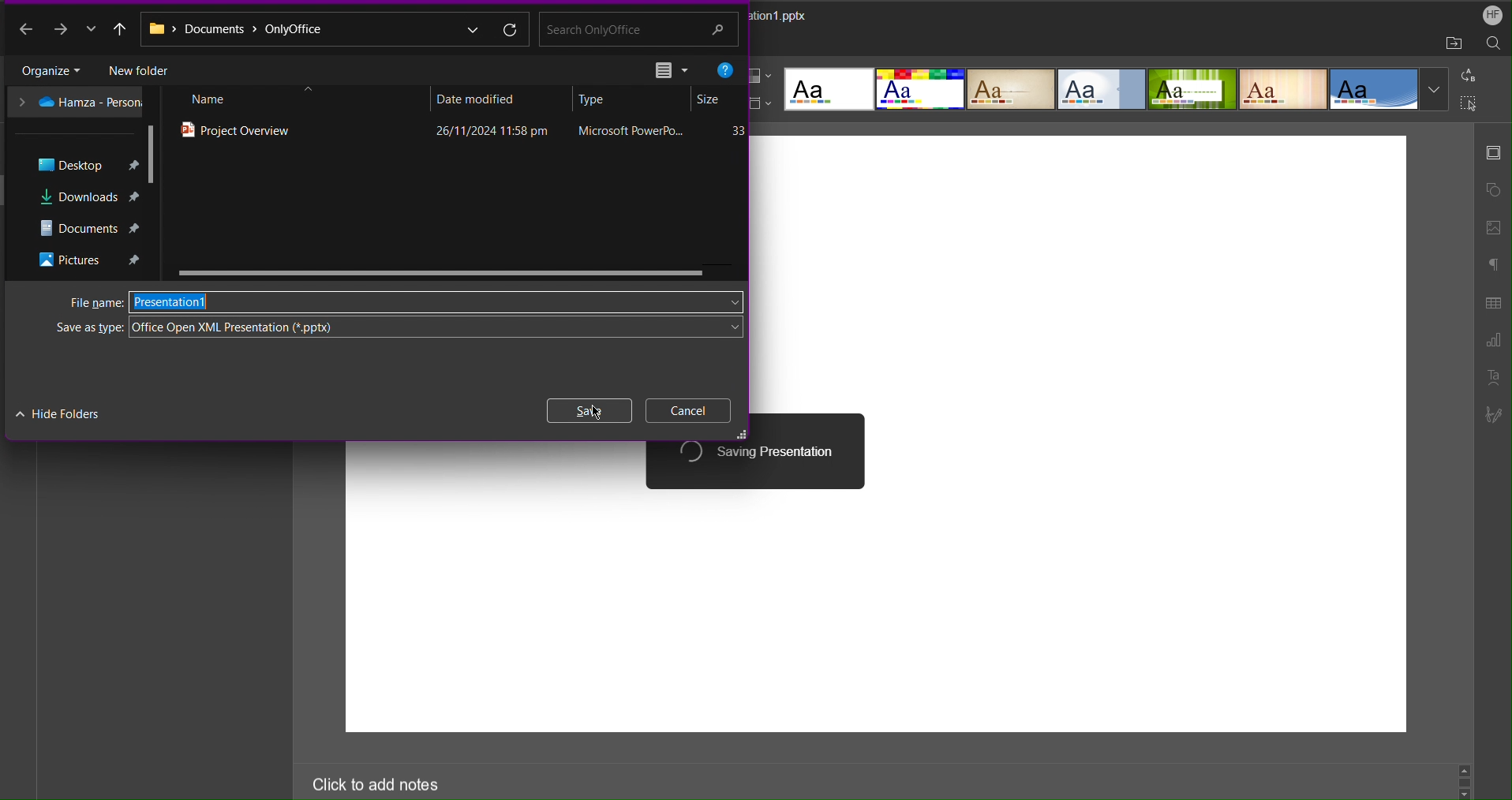 The height and width of the screenshot is (800, 1512). Describe the element at coordinates (600, 414) in the screenshot. I see `cursor` at that location.